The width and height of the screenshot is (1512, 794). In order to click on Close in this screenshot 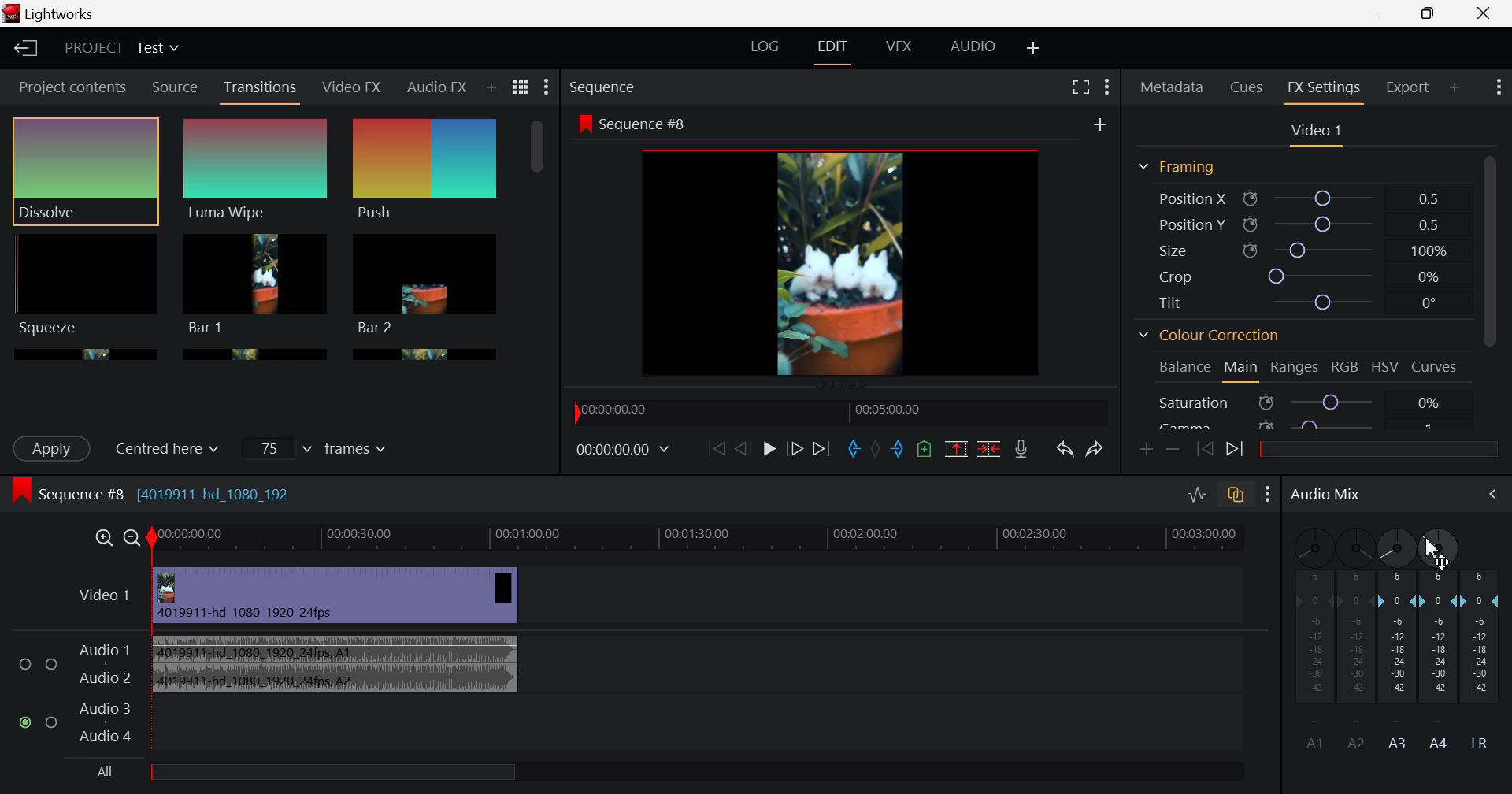, I will do `click(1484, 14)`.